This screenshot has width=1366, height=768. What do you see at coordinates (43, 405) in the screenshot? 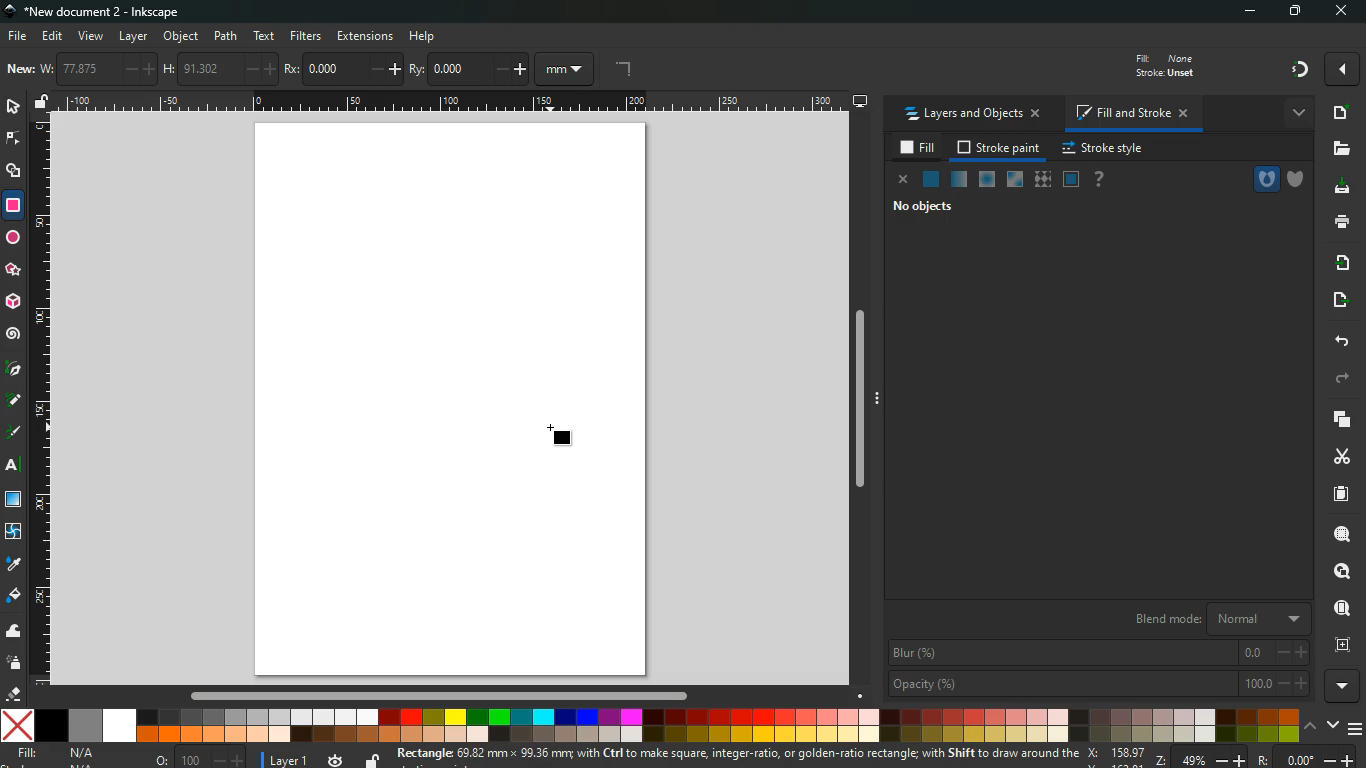
I see `vertical ruler` at bounding box center [43, 405].